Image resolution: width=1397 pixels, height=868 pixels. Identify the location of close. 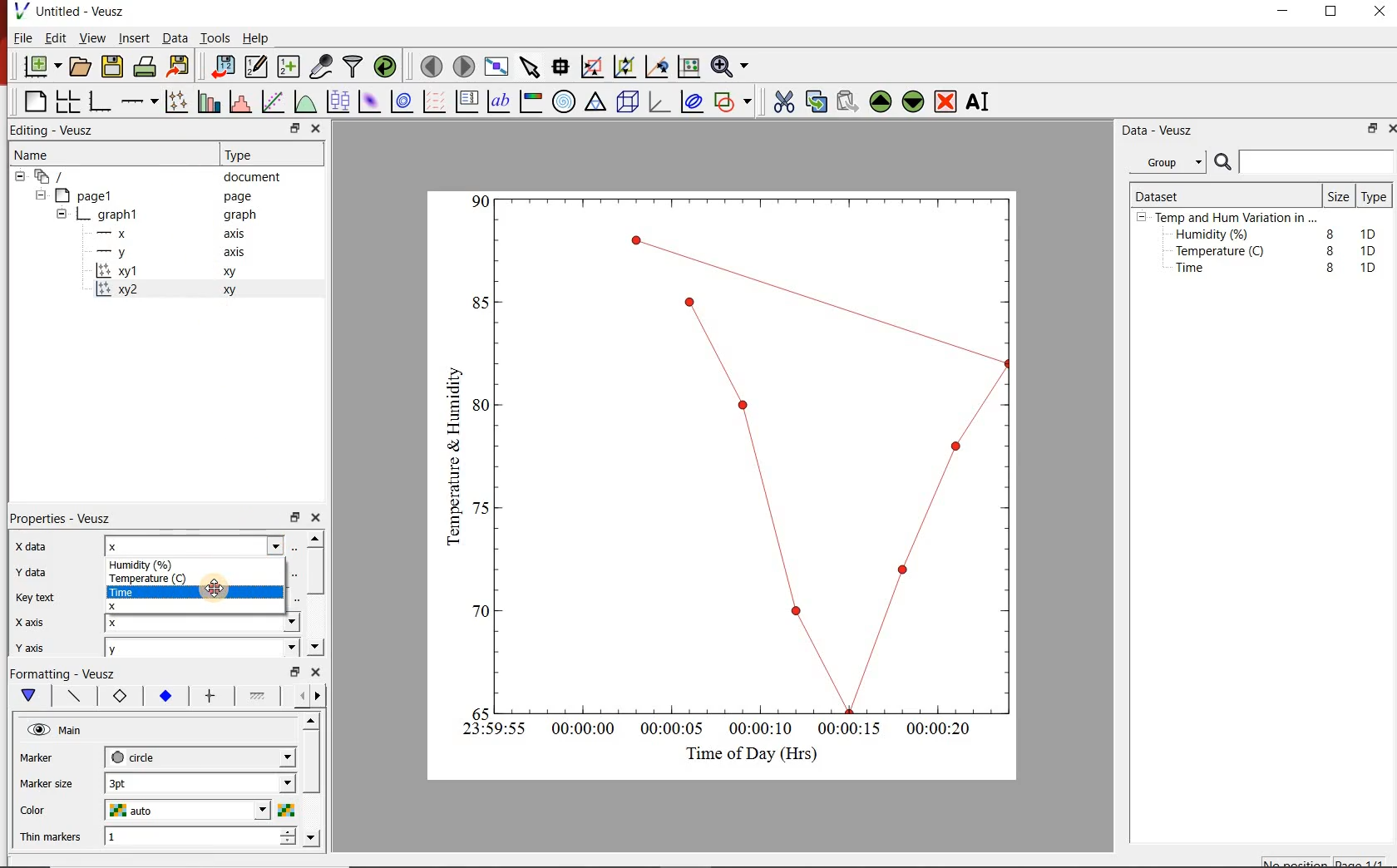
(318, 673).